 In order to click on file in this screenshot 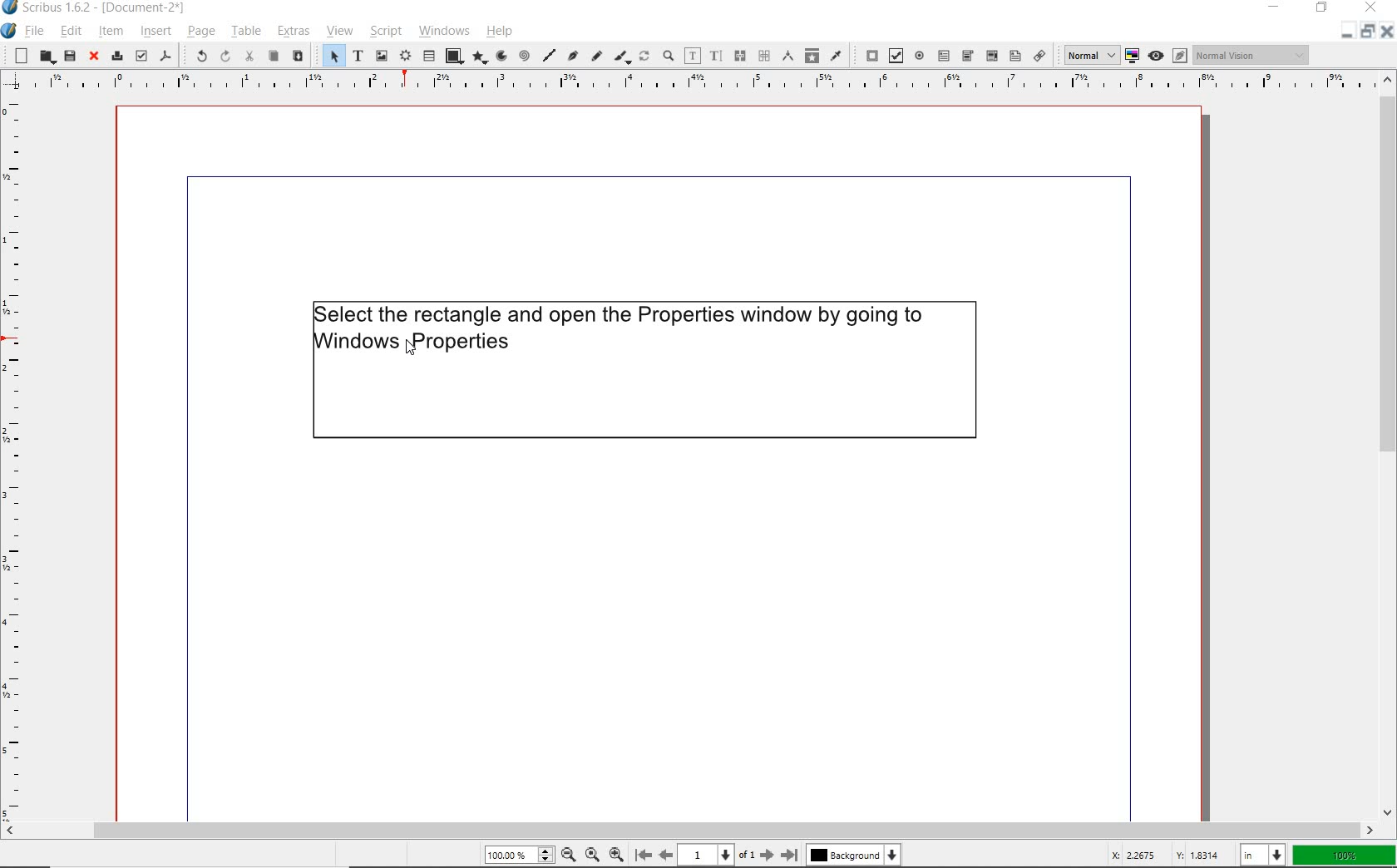, I will do `click(37, 31)`.